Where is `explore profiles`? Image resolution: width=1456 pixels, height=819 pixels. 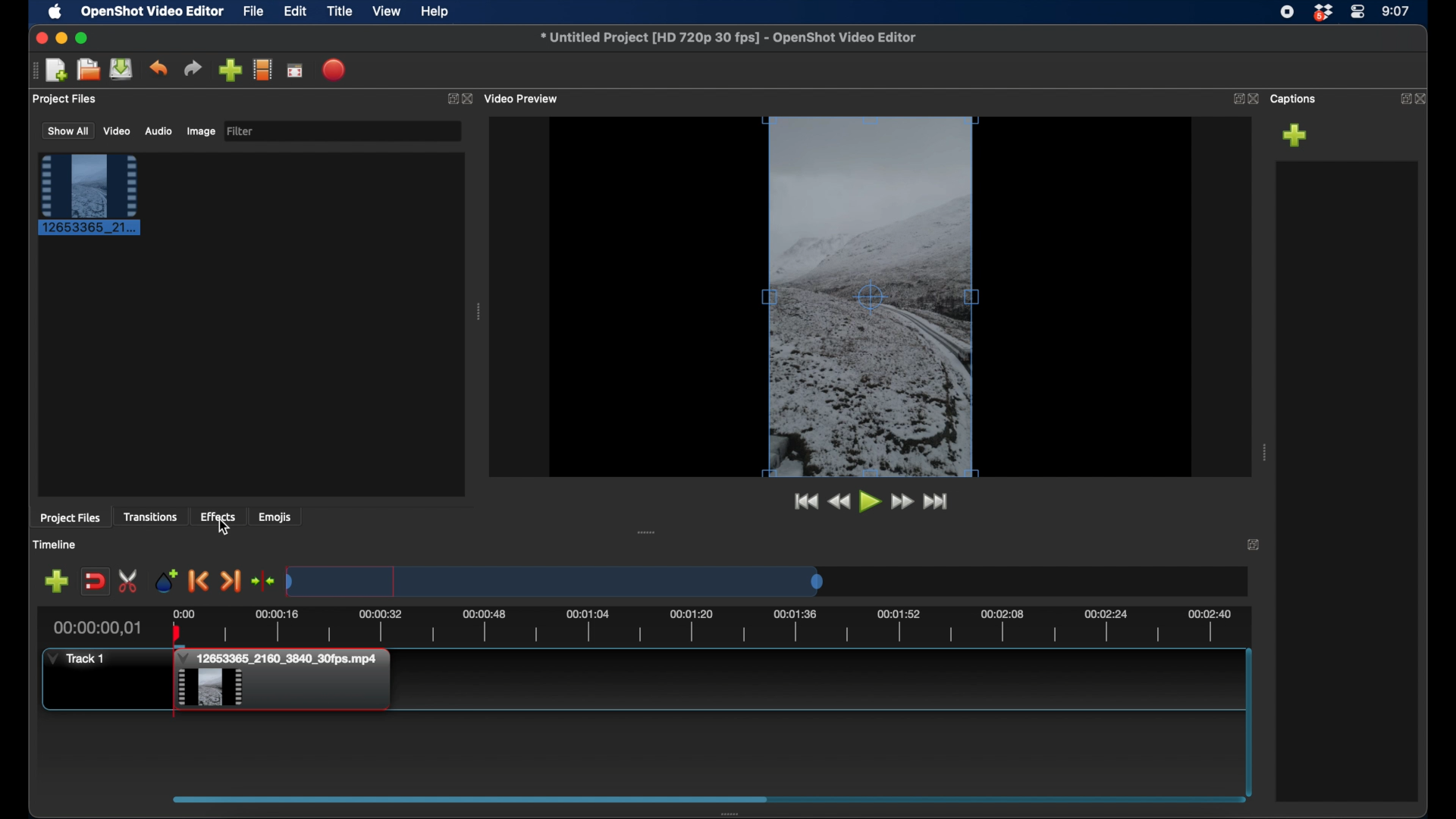 explore profiles is located at coordinates (263, 70).